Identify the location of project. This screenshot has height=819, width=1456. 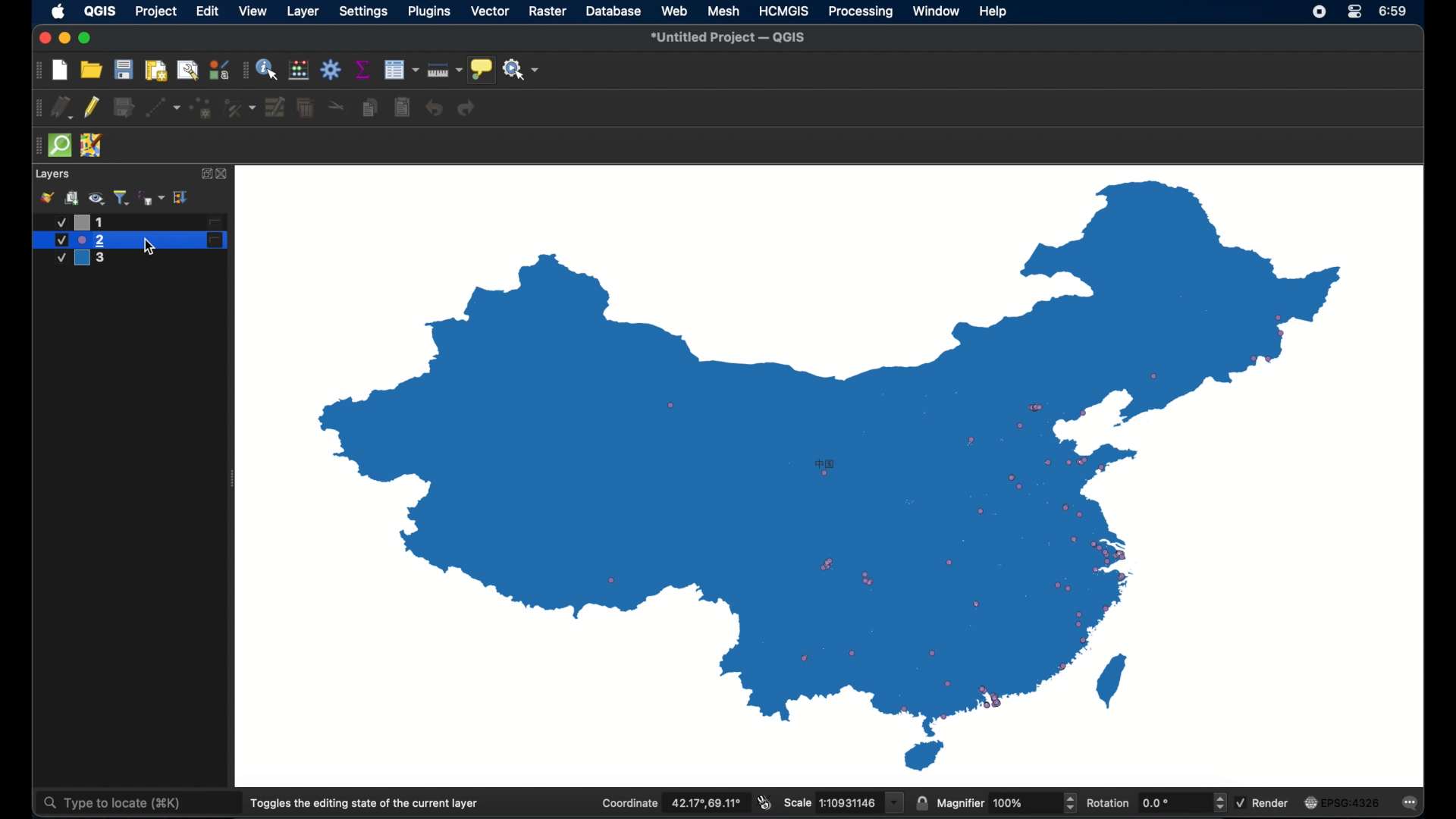
(155, 11).